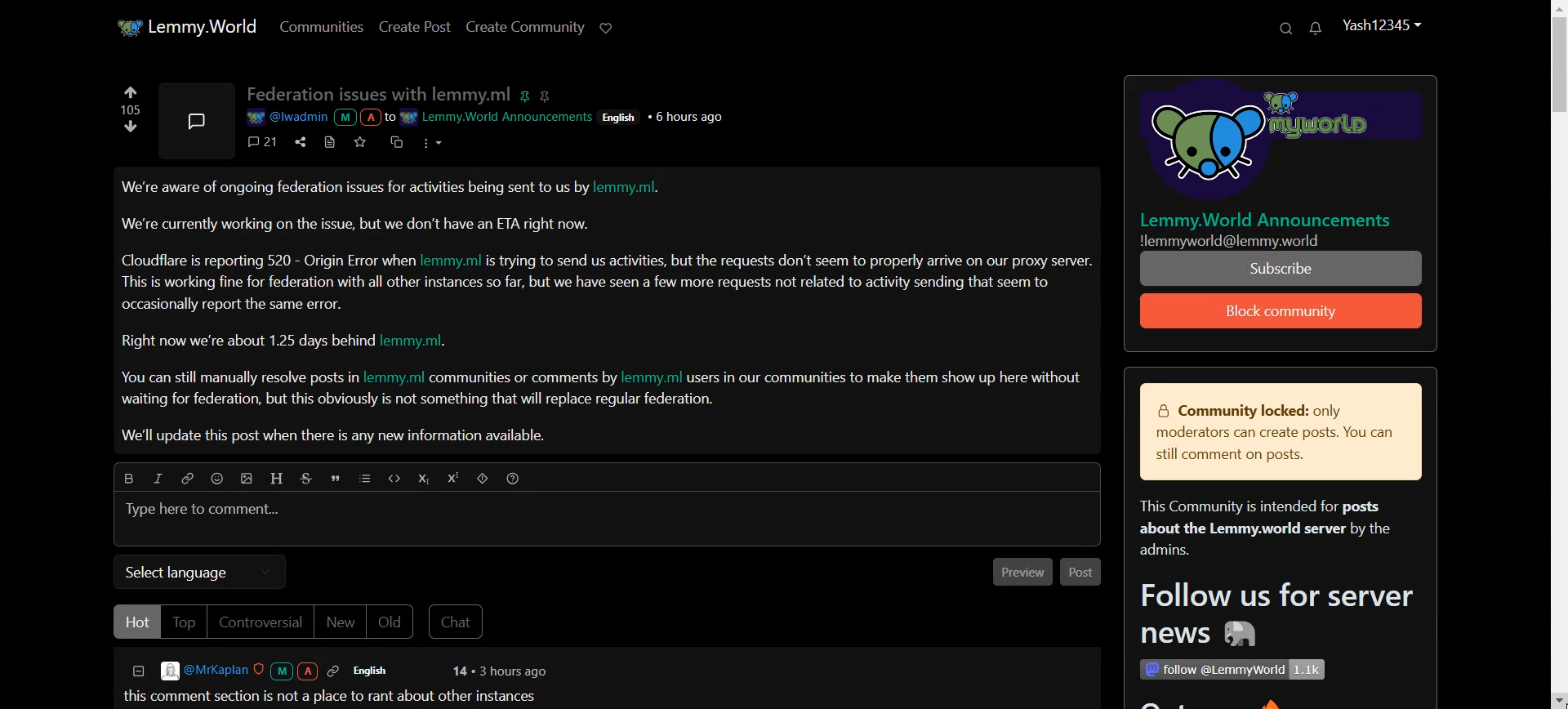  What do you see at coordinates (261, 141) in the screenshot?
I see `Comment` at bounding box center [261, 141].